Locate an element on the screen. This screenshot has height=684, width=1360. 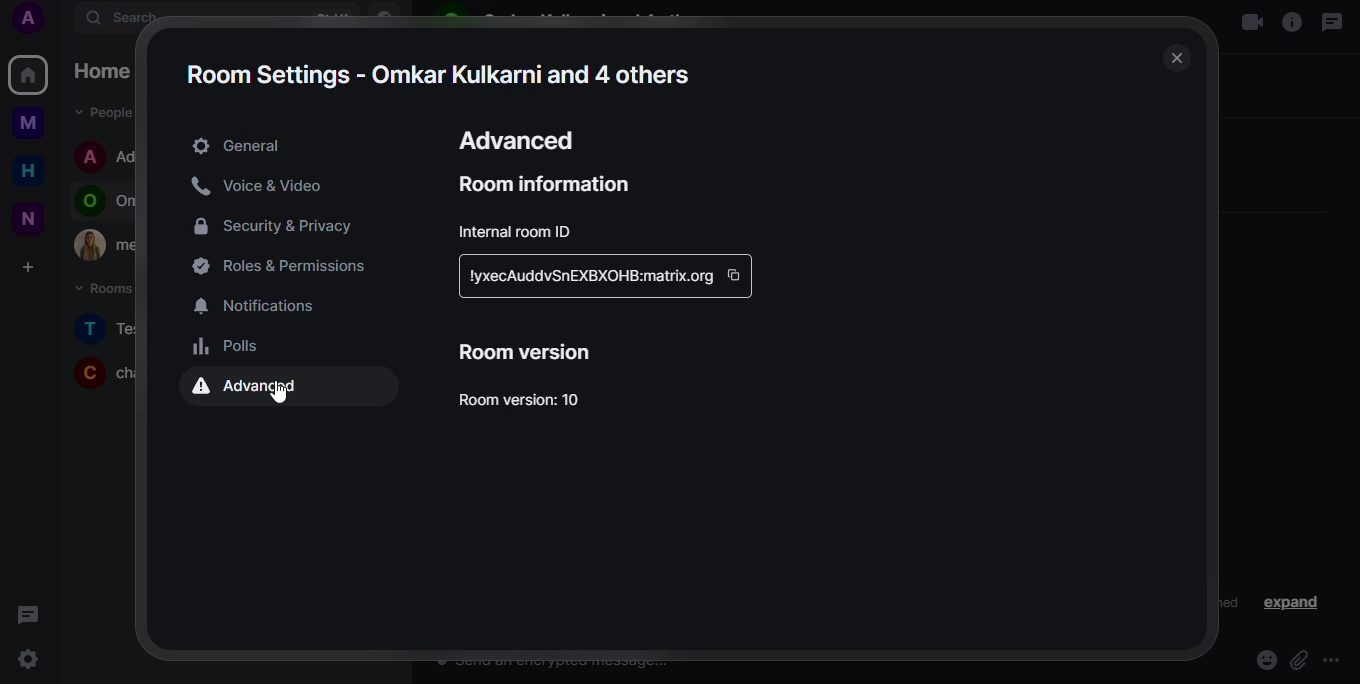
home is located at coordinates (29, 74).